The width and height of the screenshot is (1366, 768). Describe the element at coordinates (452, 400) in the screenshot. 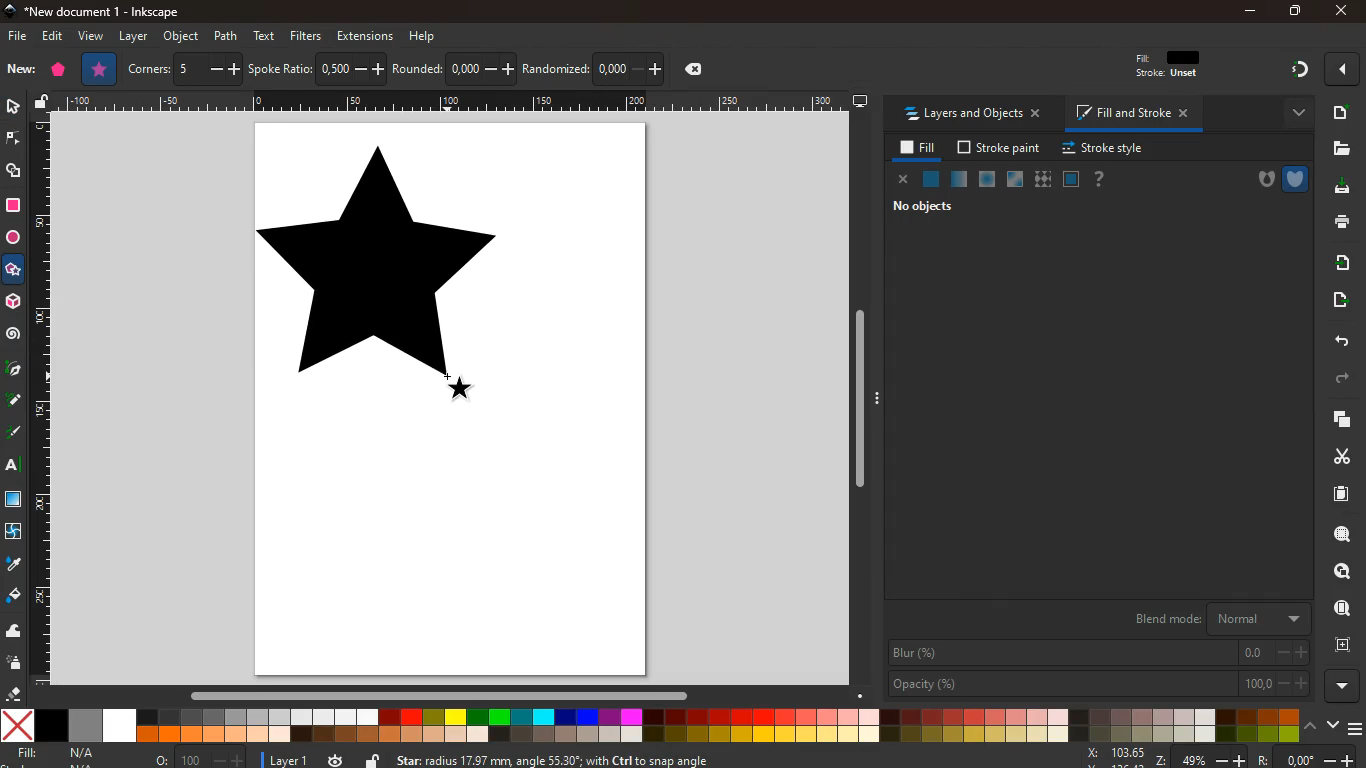

I see `image` at that location.